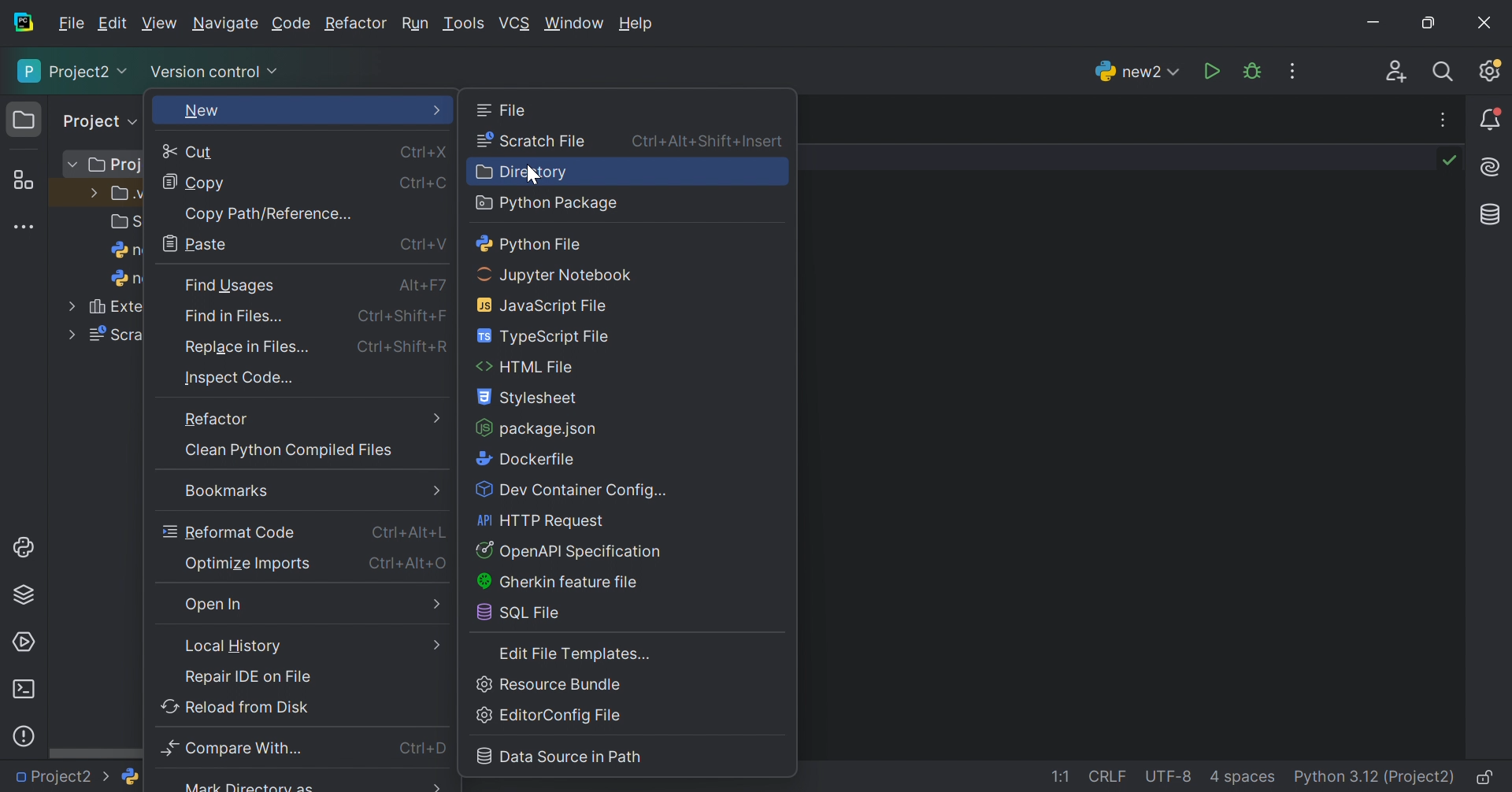 This screenshot has width=1512, height=792. I want to click on More actions, so click(1446, 120).